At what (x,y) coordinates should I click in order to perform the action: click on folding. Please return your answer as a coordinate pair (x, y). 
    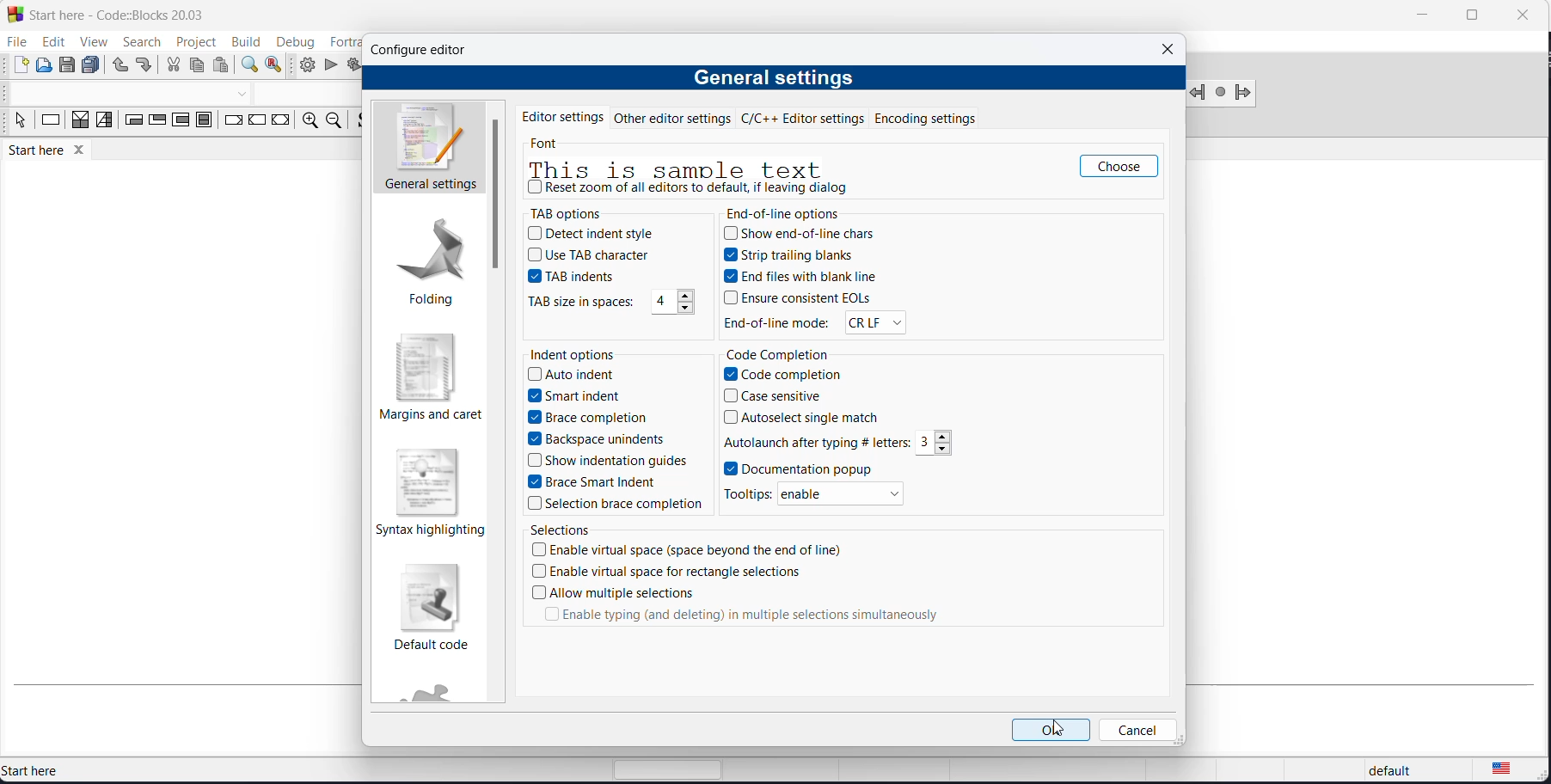
    Looking at the image, I should click on (426, 266).